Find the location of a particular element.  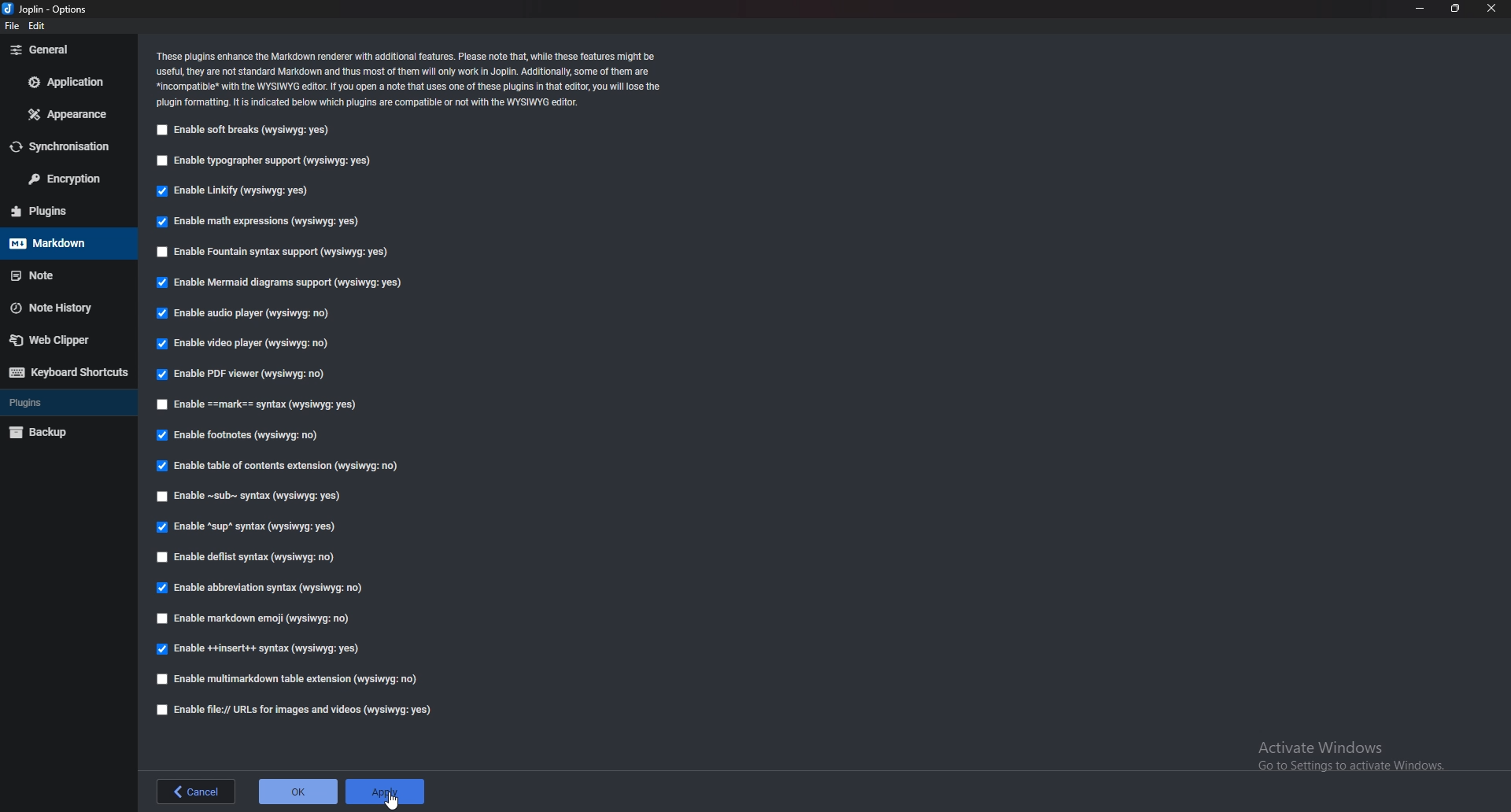

note is located at coordinates (65, 275).